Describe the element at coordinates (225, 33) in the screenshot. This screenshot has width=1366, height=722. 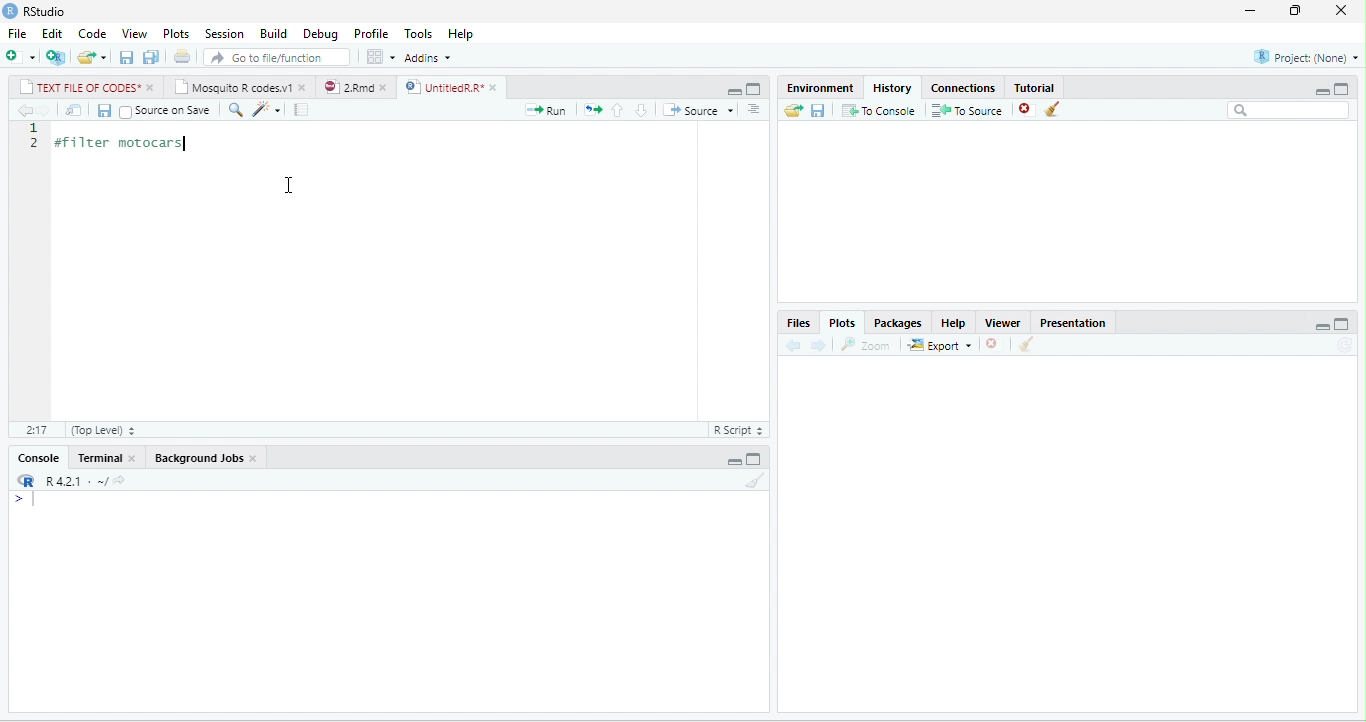
I see `Session` at that location.